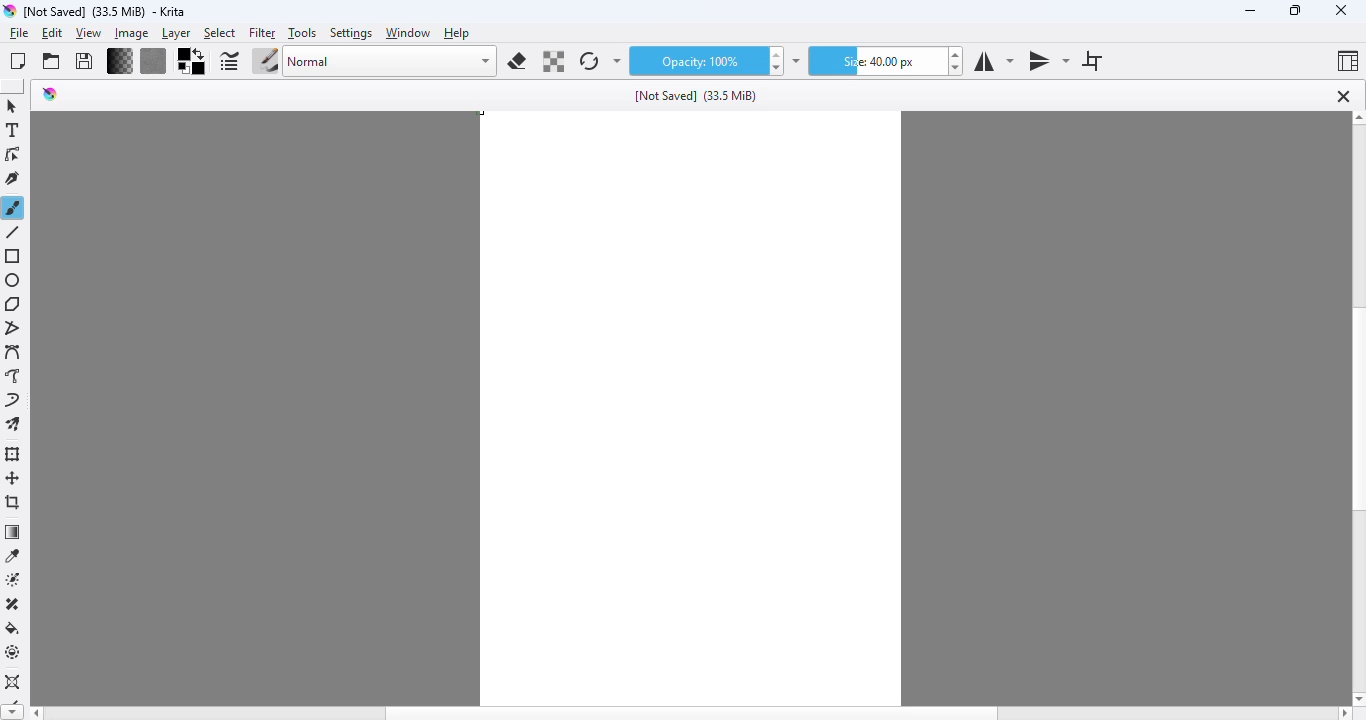  What do you see at coordinates (1344, 96) in the screenshot?
I see `close tab` at bounding box center [1344, 96].